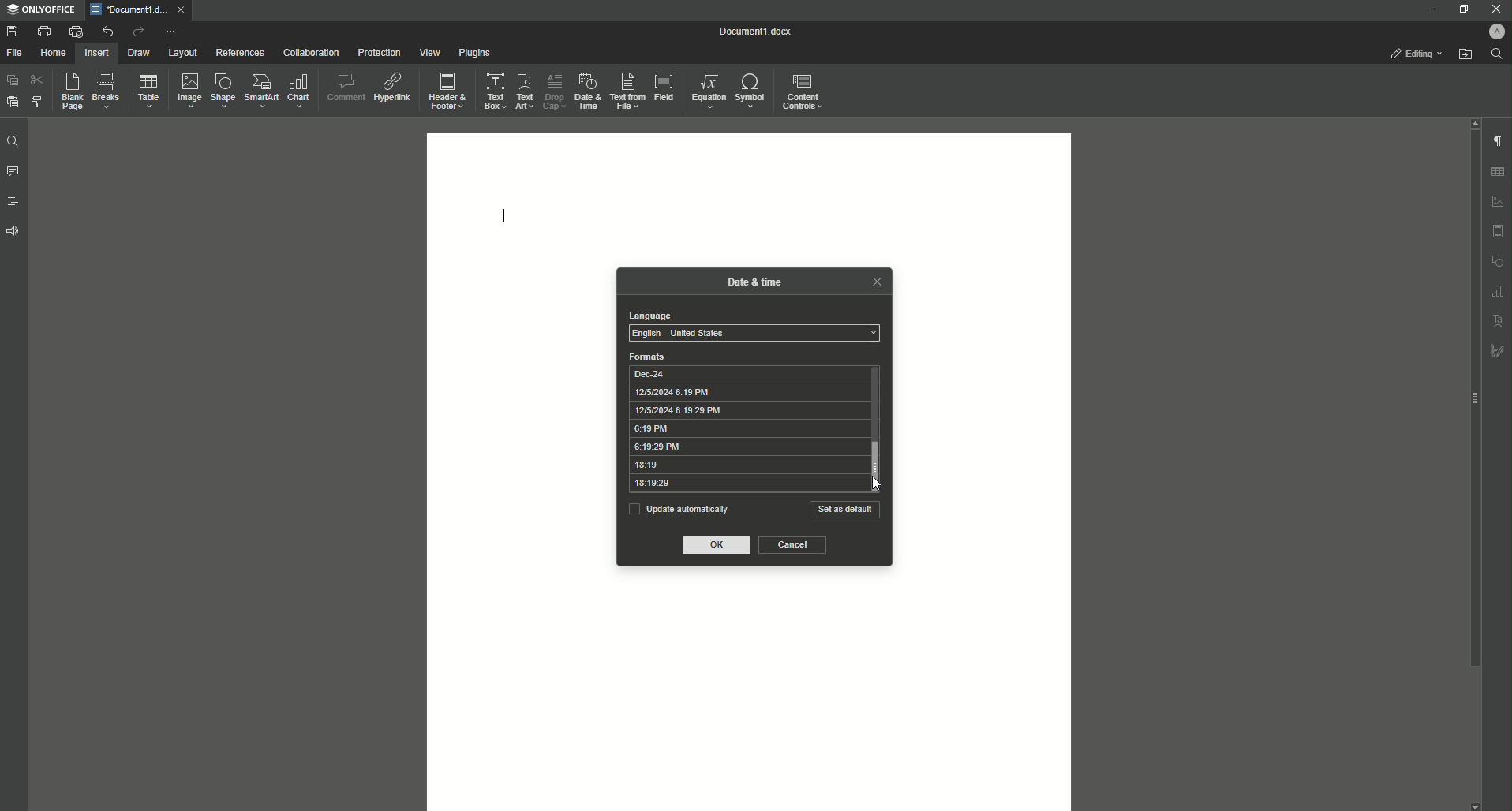 This screenshot has height=811, width=1512. I want to click on header and footer settings, so click(1498, 231).